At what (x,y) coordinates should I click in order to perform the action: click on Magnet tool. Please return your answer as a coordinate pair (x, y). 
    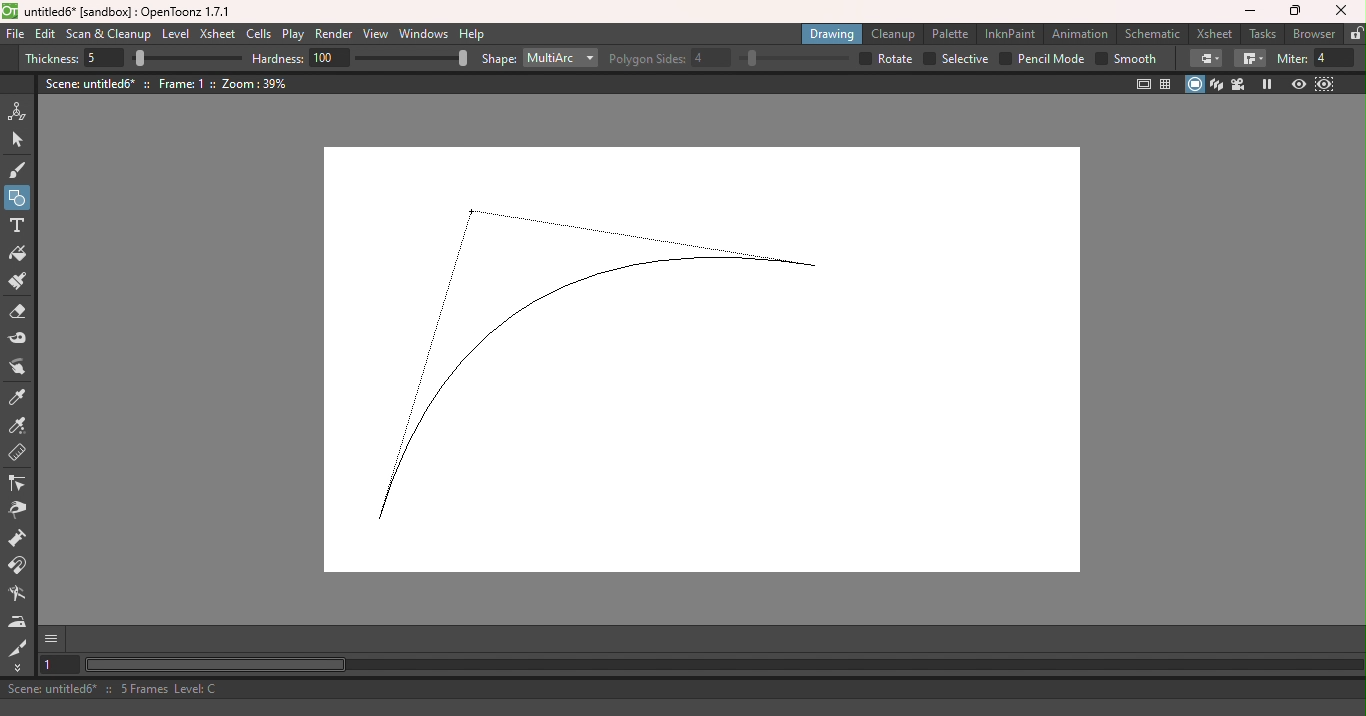
    Looking at the image, I should click on (20, 567).